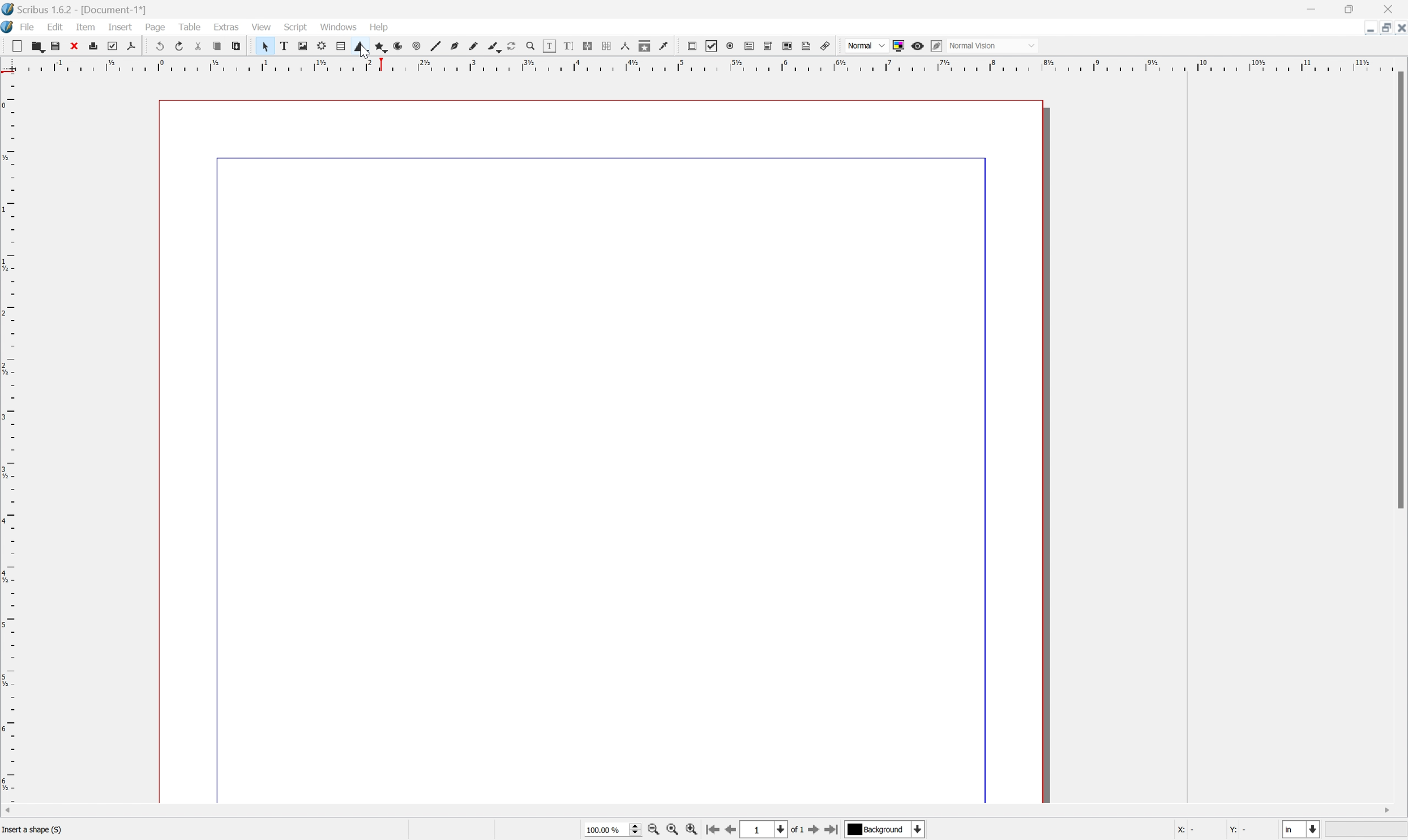 This screenshot has height=840, width=1408. What do you see at coordinates (414, 46) in the screenshot?
I see `Spiral` at bounding box center [414, 46].